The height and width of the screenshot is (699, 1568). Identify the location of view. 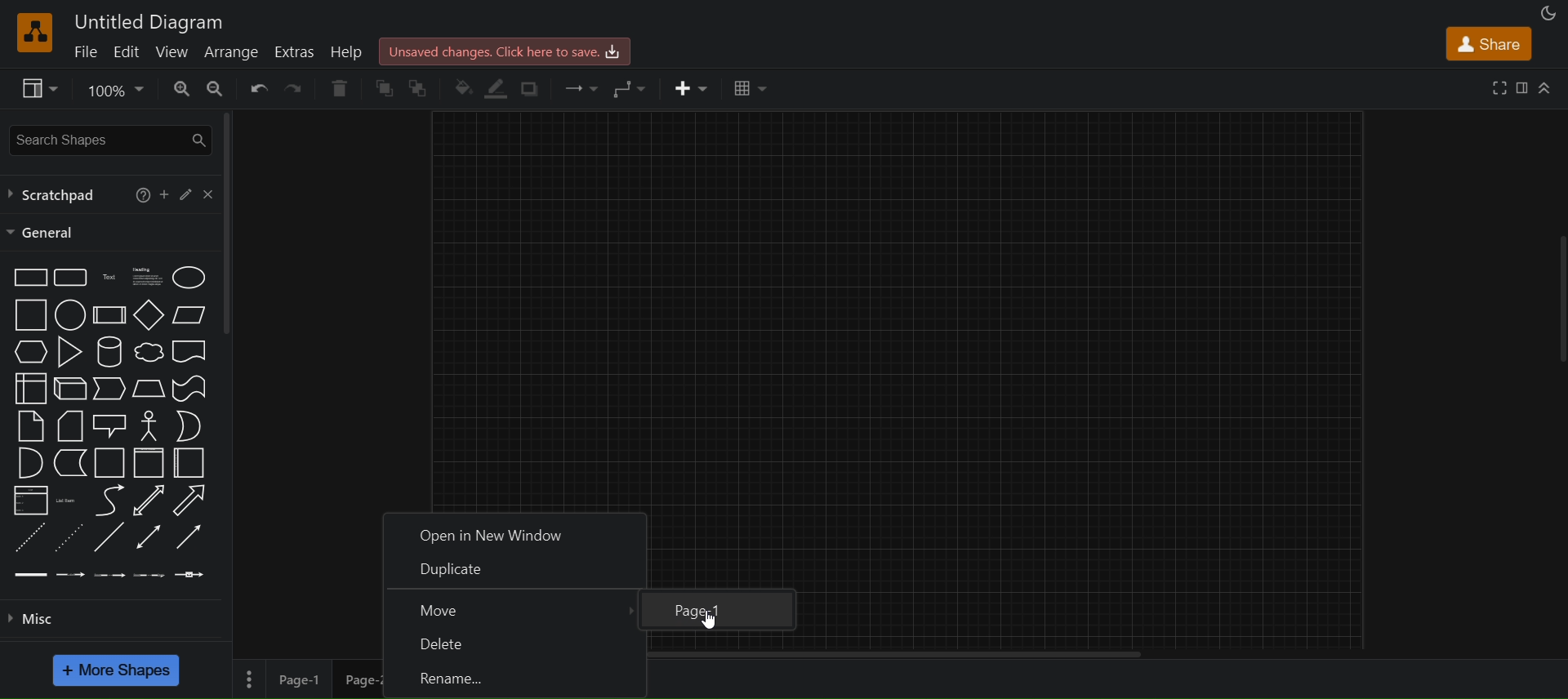
(173, 51).